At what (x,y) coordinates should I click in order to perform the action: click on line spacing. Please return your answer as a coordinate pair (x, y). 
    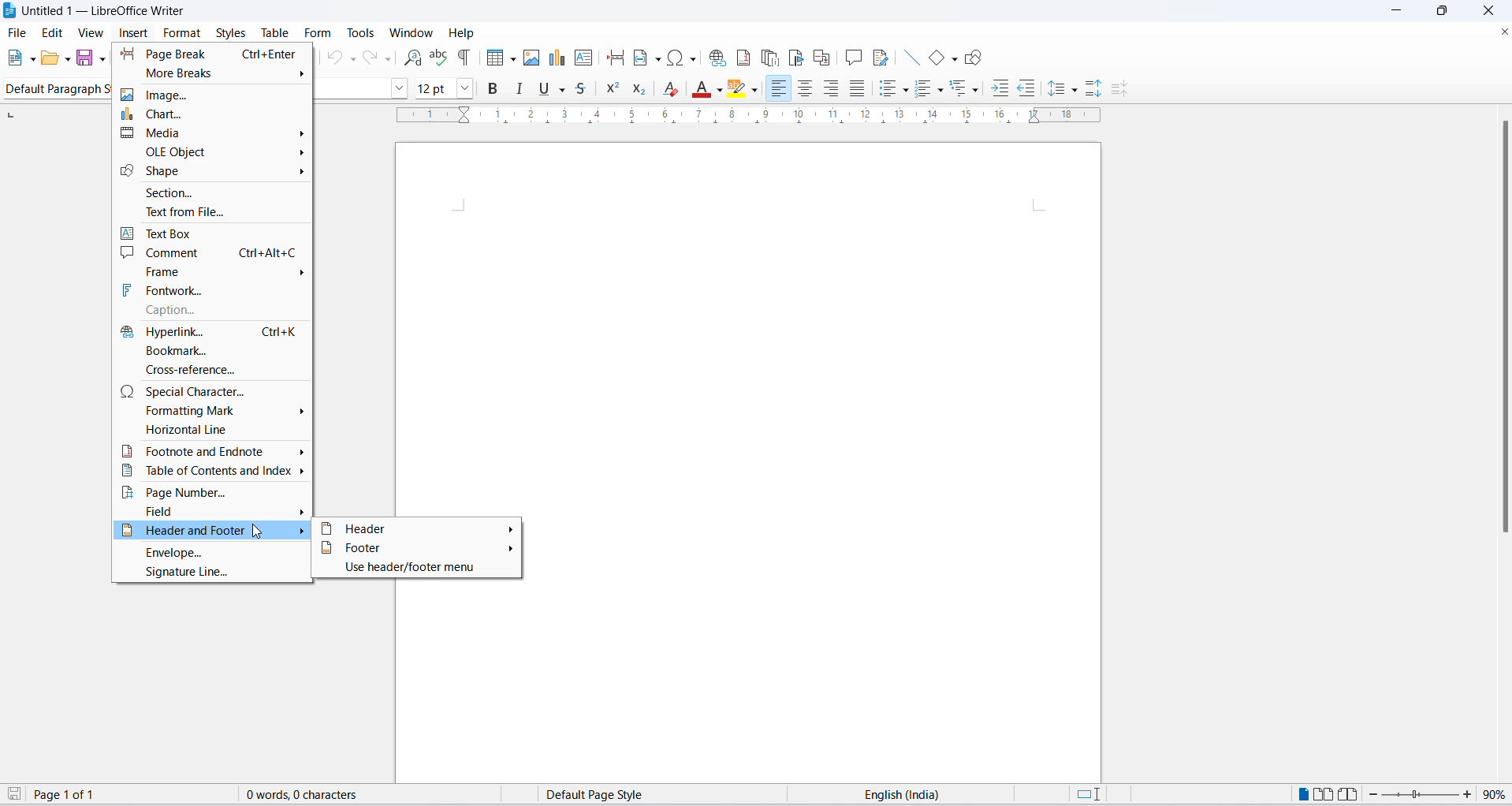
    Looking at the image, I should click on (1059, 90).